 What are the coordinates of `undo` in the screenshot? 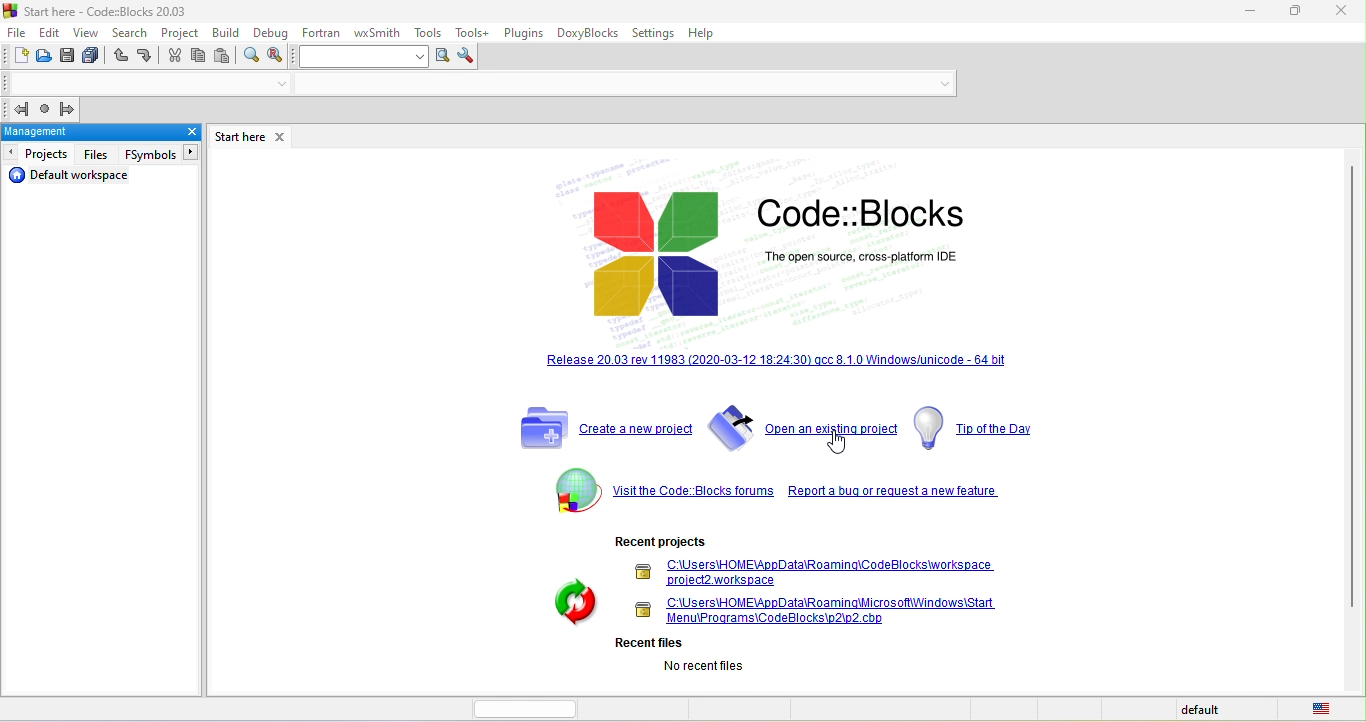 It's located at (122, 56).